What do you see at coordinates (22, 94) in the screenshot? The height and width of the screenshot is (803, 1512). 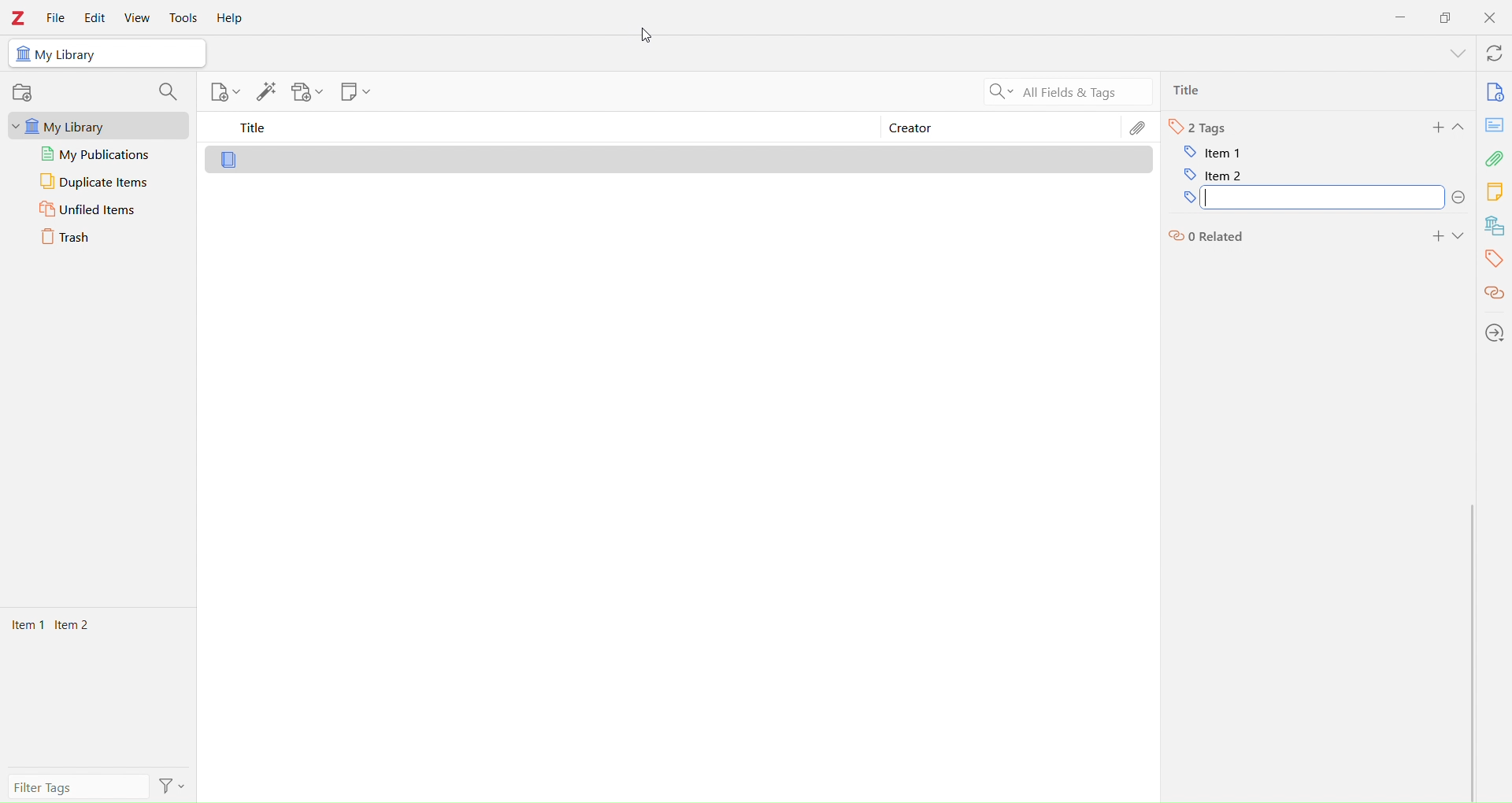 I see `record` at bounding box center [22, 94].